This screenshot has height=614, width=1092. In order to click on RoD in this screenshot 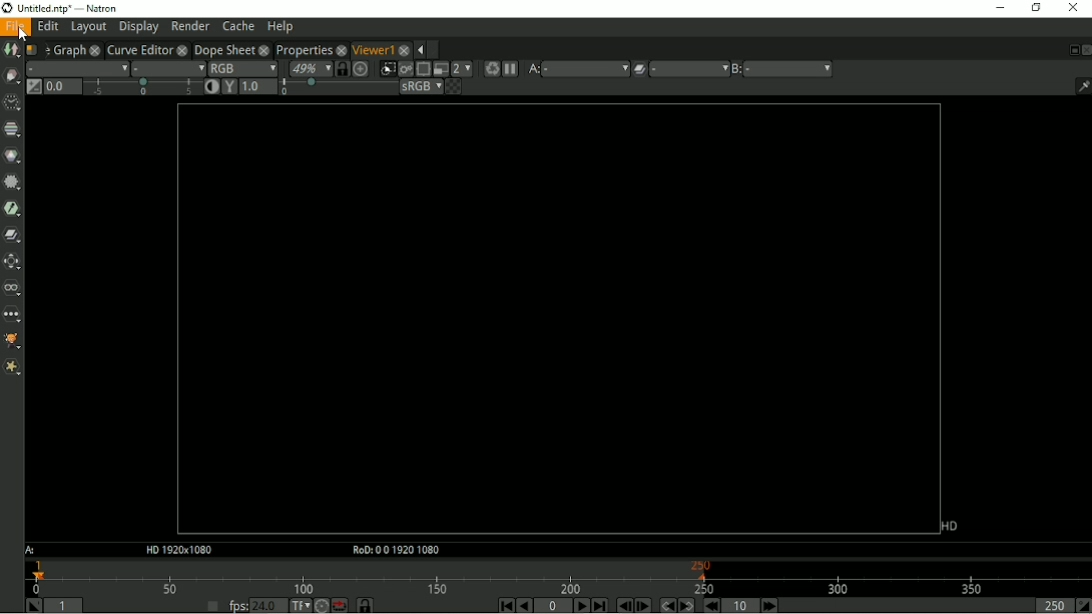, I will do `click(393, 551)`.